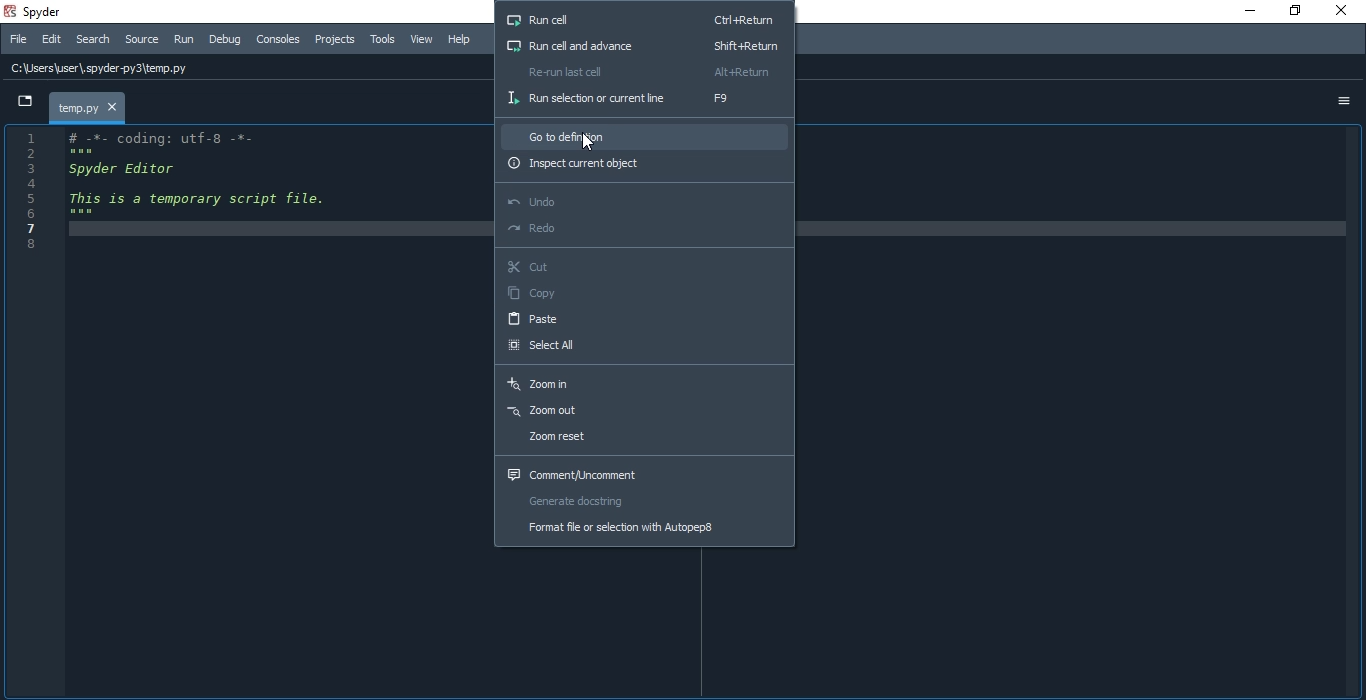 Image resolution: width=1366 pixels, height=700 pixels. I want to click on Debug, so click(224, 39).